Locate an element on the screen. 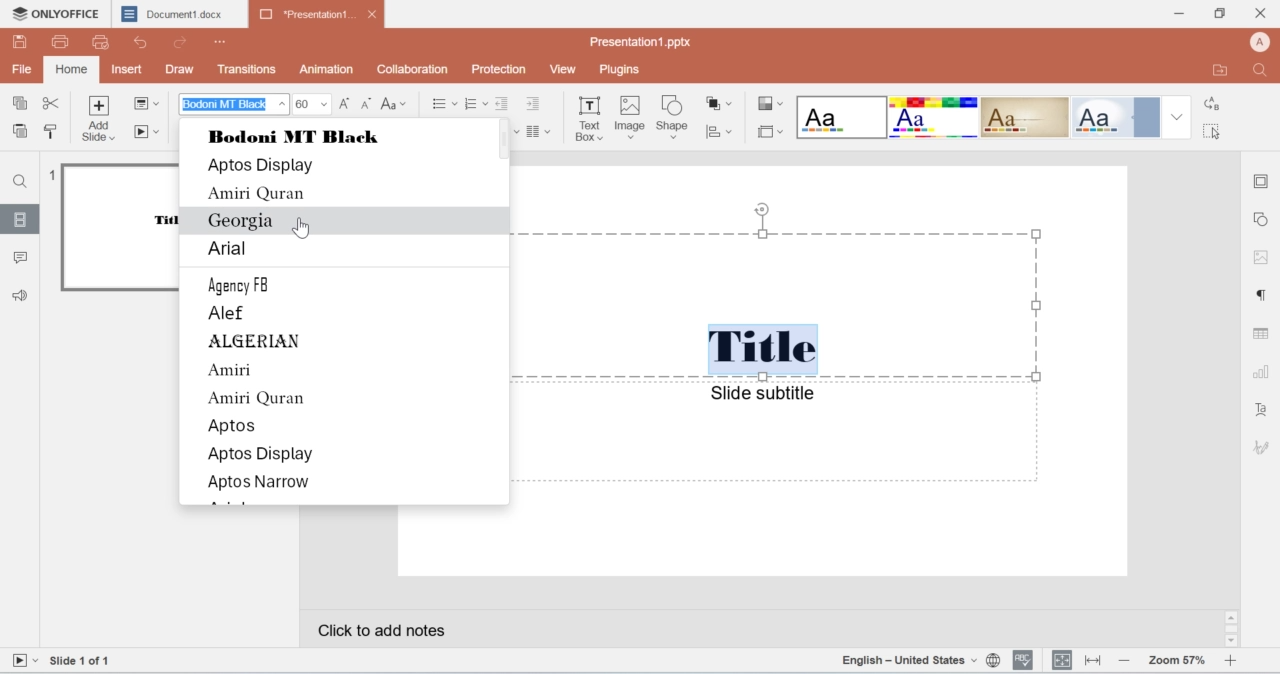 This screenshot has width=1280, height=674. account is located at coordinates (1262, 41).